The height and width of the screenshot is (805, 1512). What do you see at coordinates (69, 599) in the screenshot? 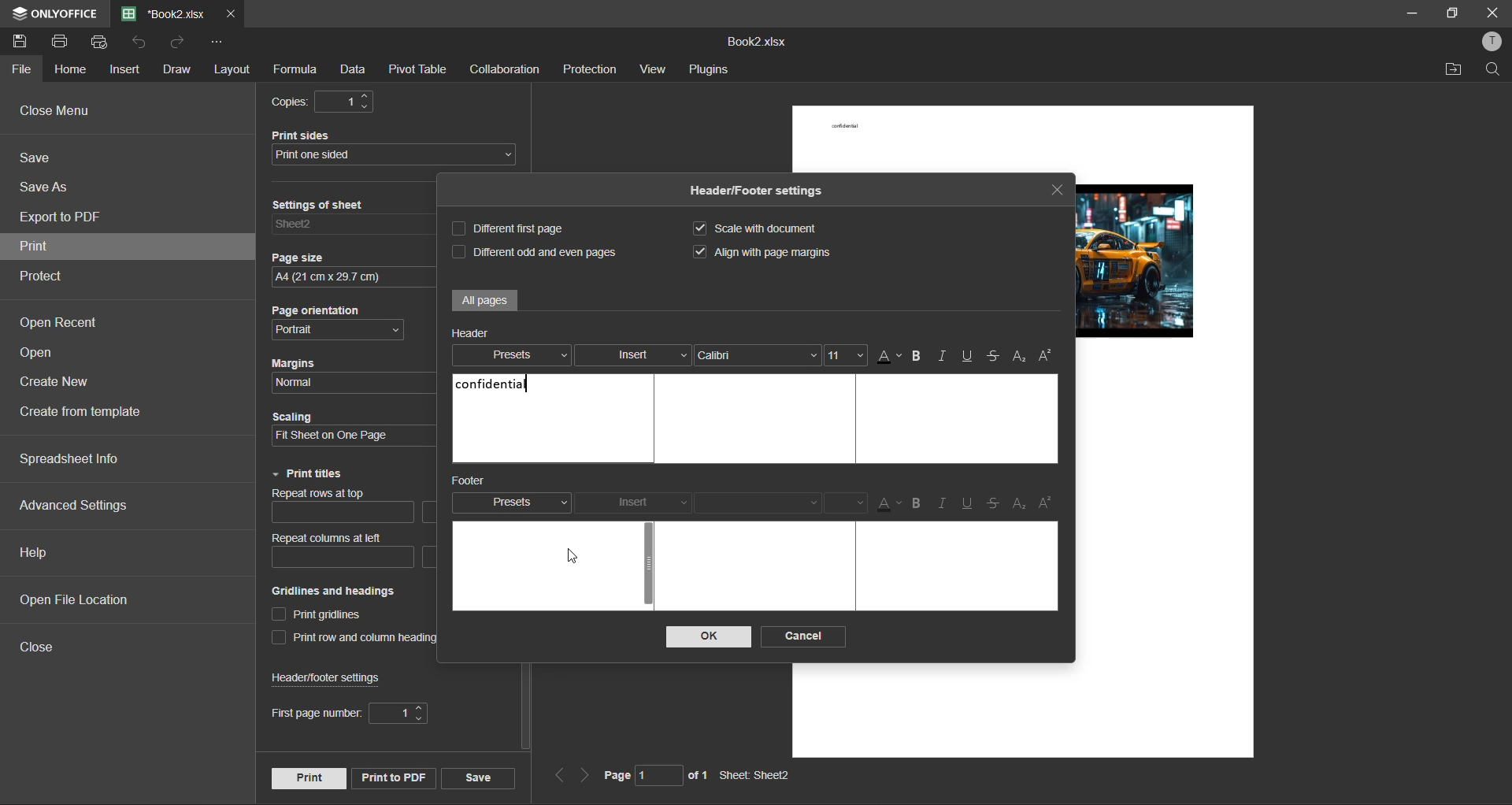
I see `open file location` at bounding box center [69, 599].